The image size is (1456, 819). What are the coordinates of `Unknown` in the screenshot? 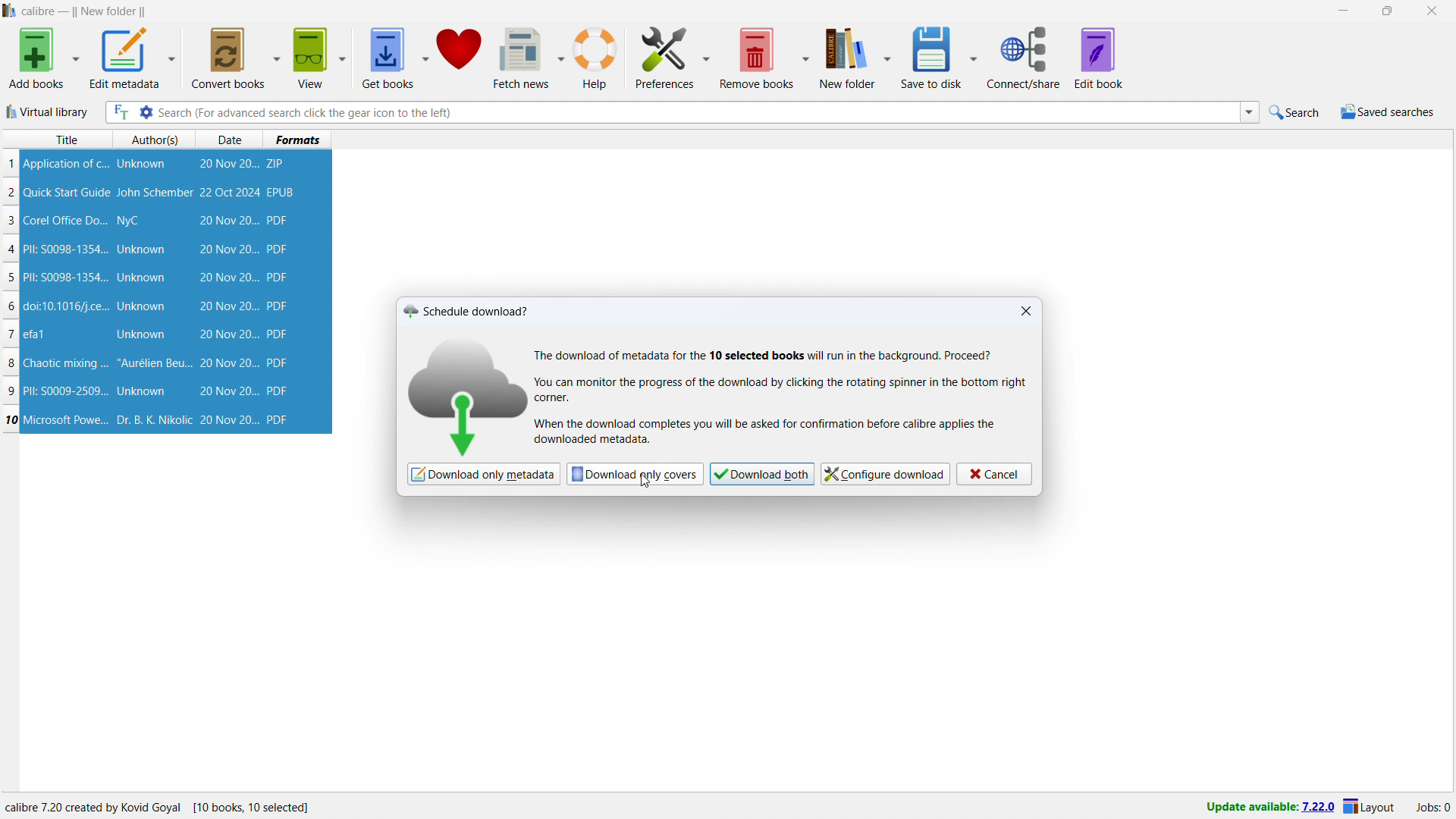 It's located at (141, 391).